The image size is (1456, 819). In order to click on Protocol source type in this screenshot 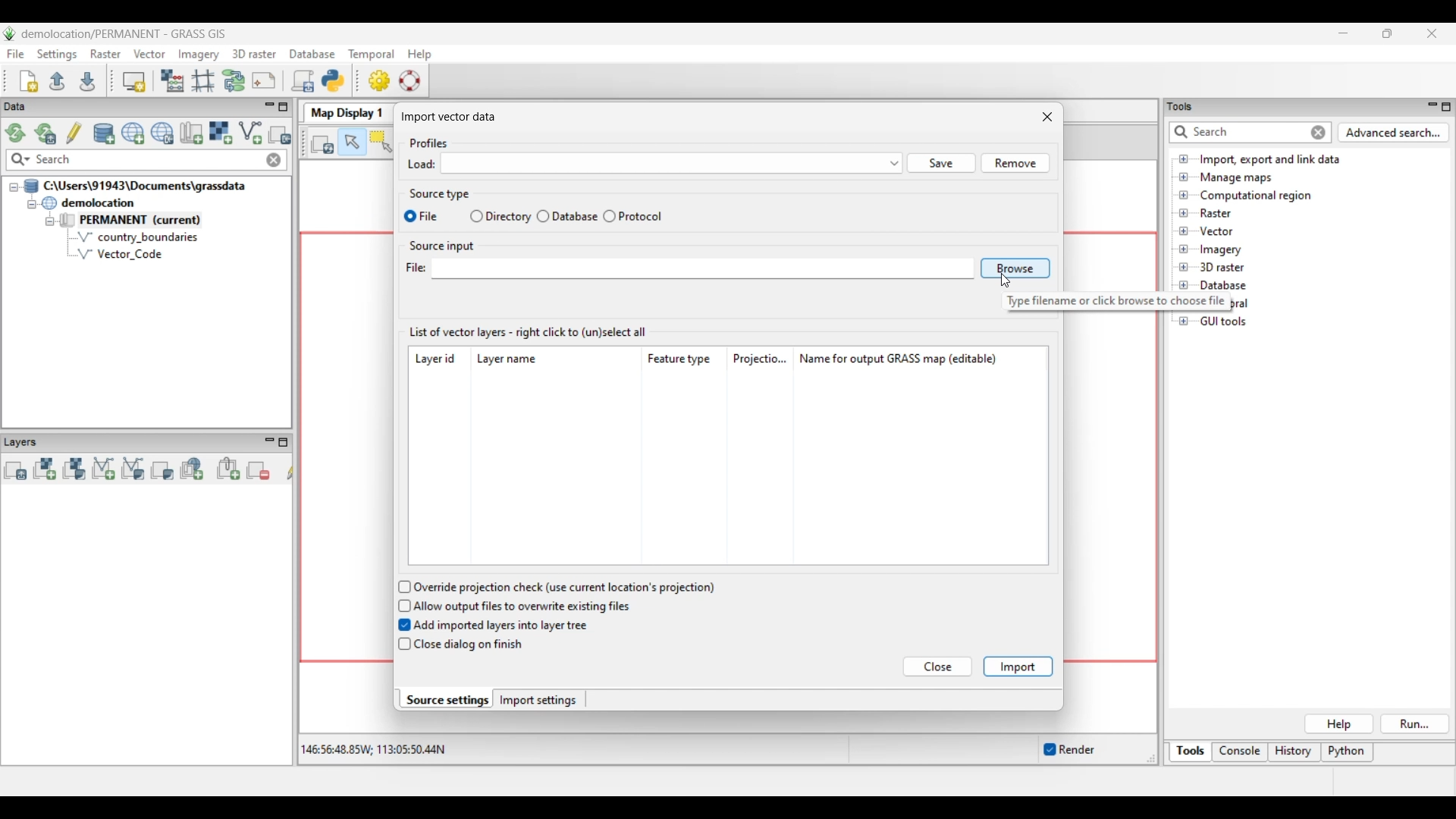, I will do `click(642, 215)`.